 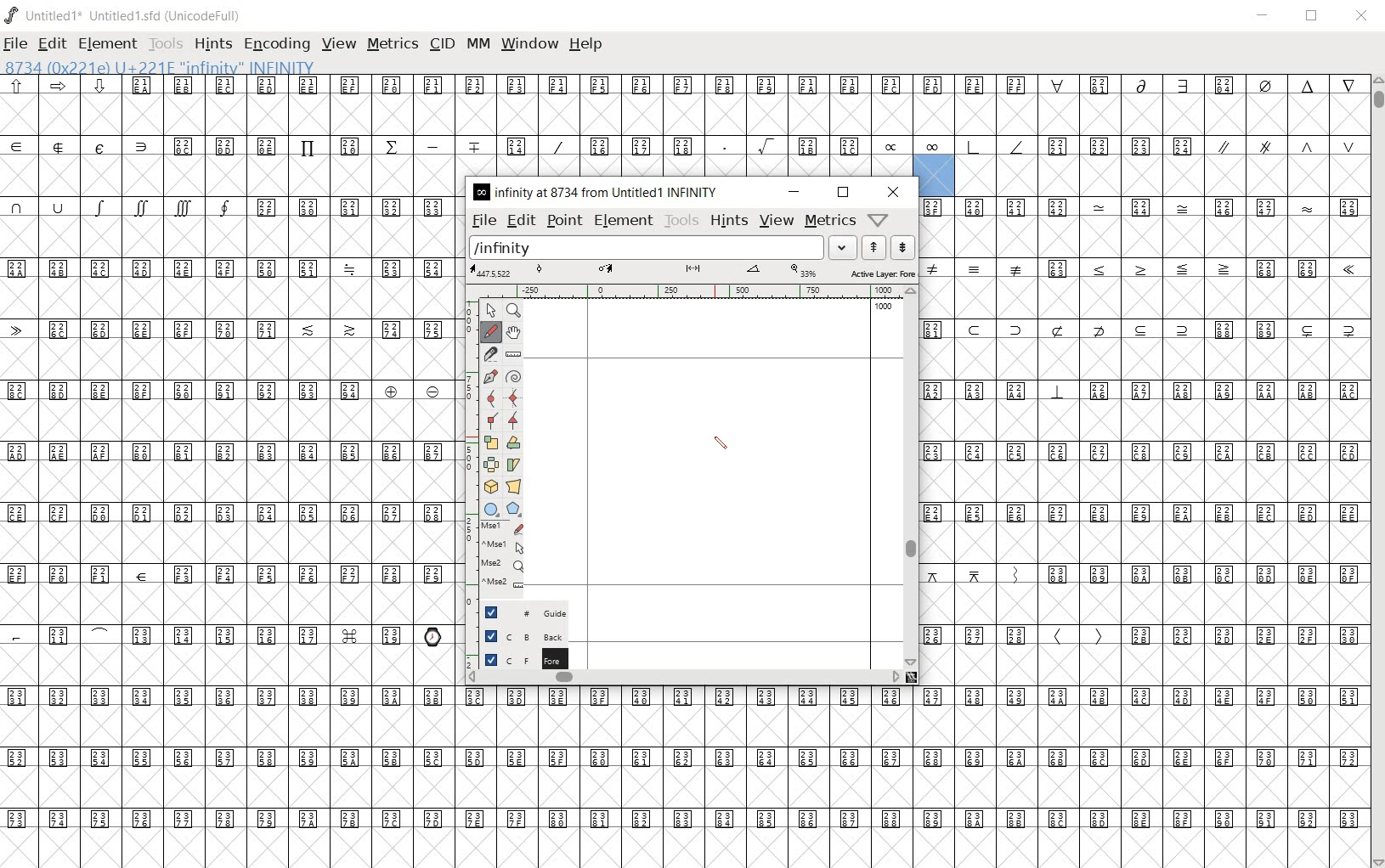 What do you see at coordinates (512, 397) in the screenshot?
I see `add a curve point always either horizontal or vertical` at bounding box center [512, 397].